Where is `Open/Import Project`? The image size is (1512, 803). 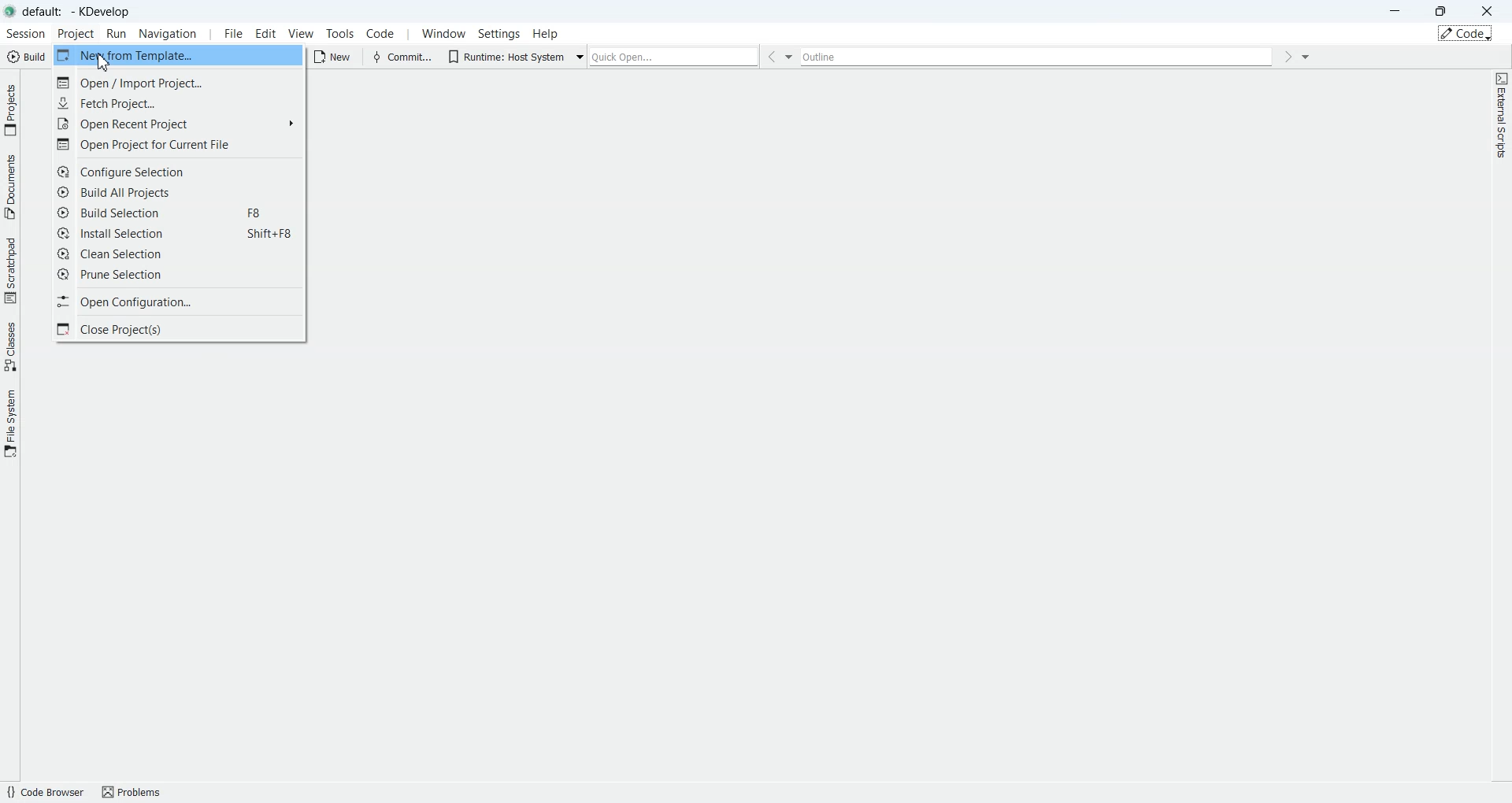
Open/Import Project is located at coordinates (178, 82).